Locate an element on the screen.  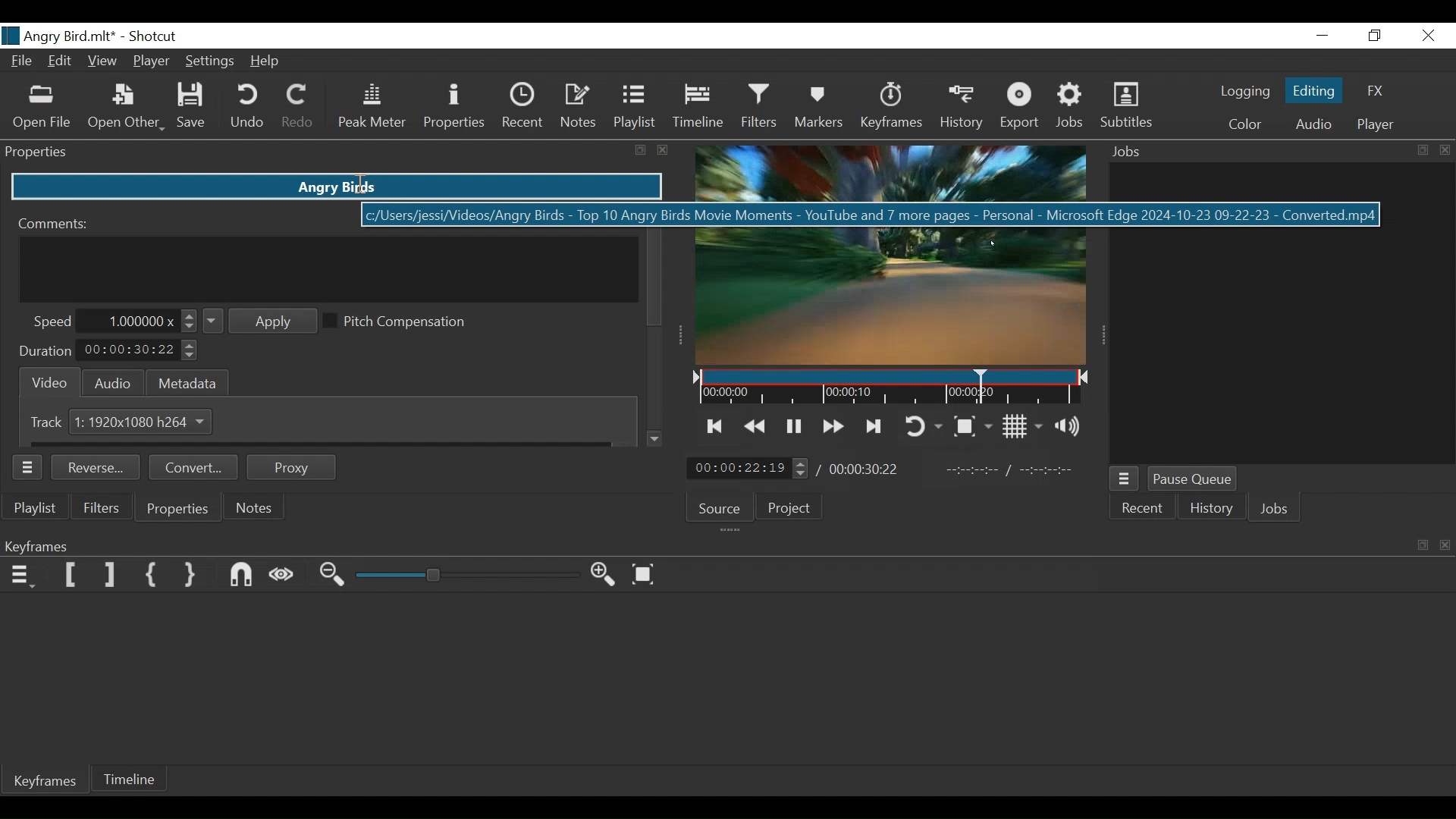
Pause Queue is located at coordinates (1194, 479).